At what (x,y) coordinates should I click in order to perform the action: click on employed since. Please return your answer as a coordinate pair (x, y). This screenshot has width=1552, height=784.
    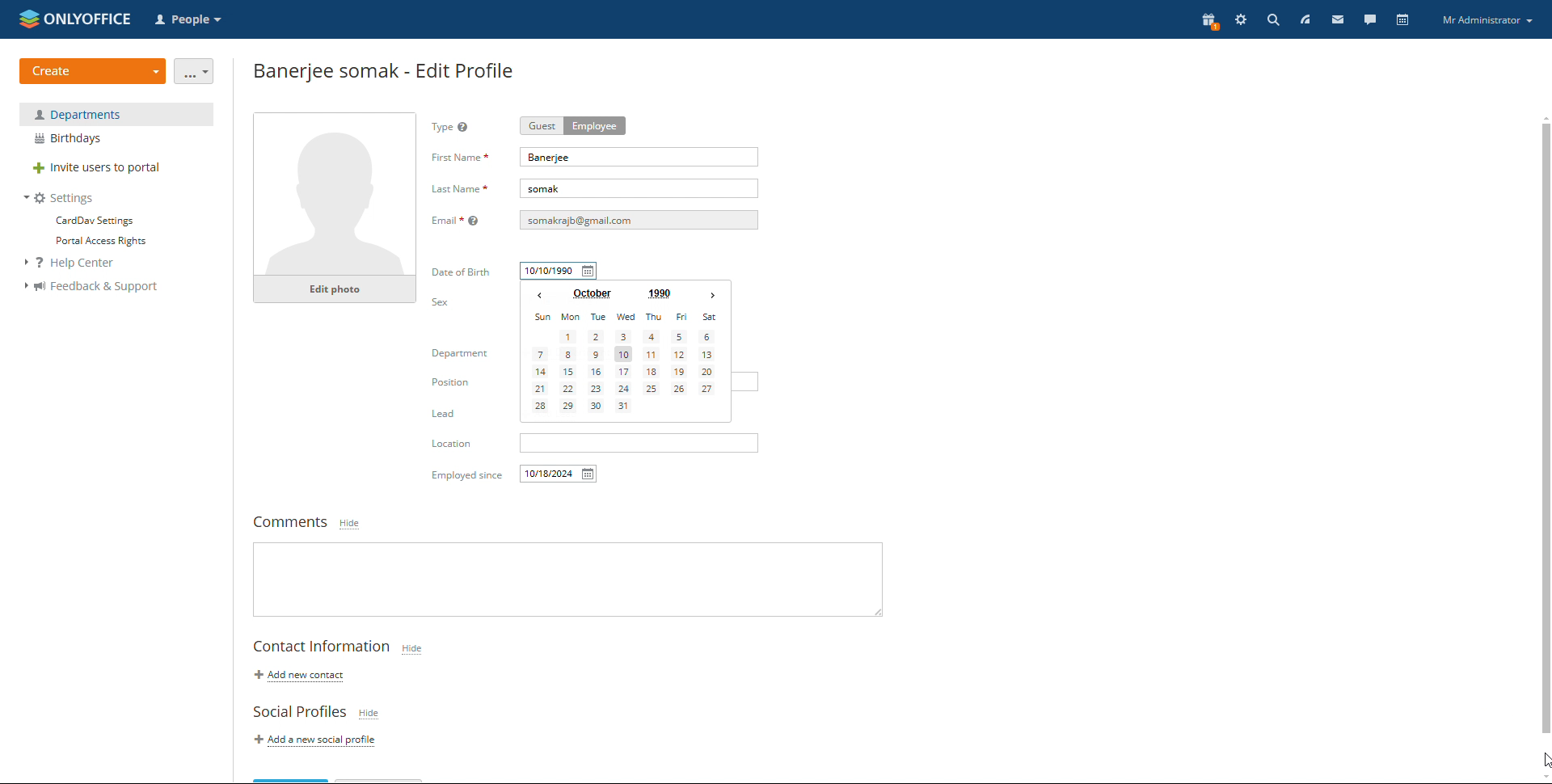
    Looking at the image, I should click on (559, 474).